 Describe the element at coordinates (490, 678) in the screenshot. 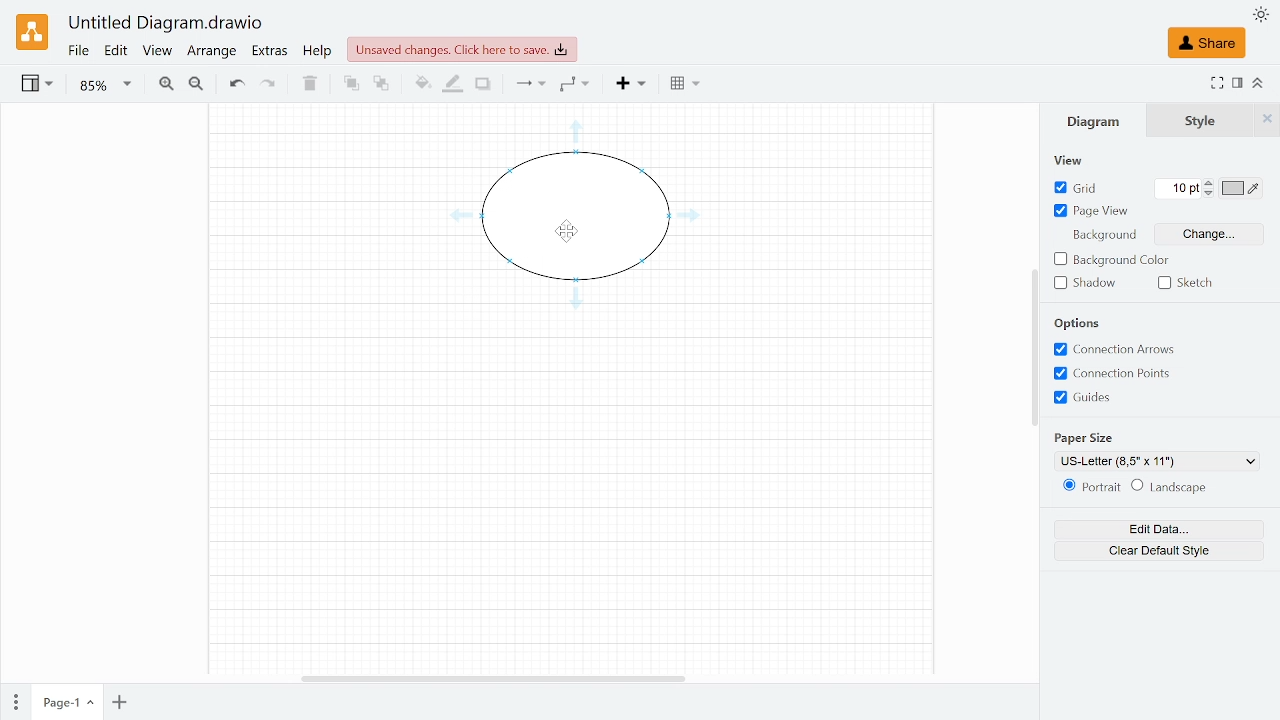

I see `Horizontal scrollbar` at that location.